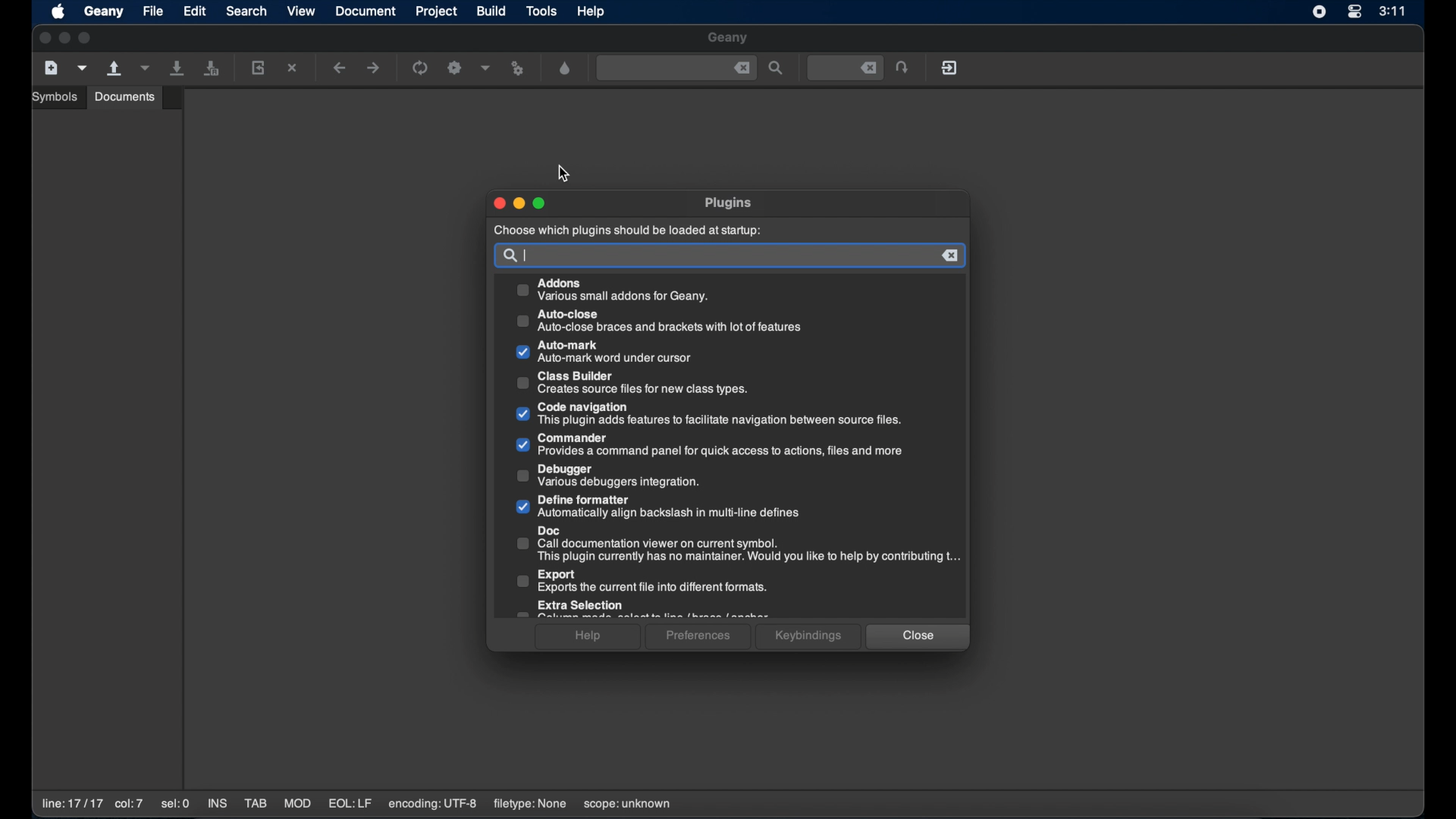 Image resolution: width=1456 pixels, height=819 pixels. What do you see at coordinates (87, 38) in the screenshot?
I see `maximize` at bounding box center [87, 38].